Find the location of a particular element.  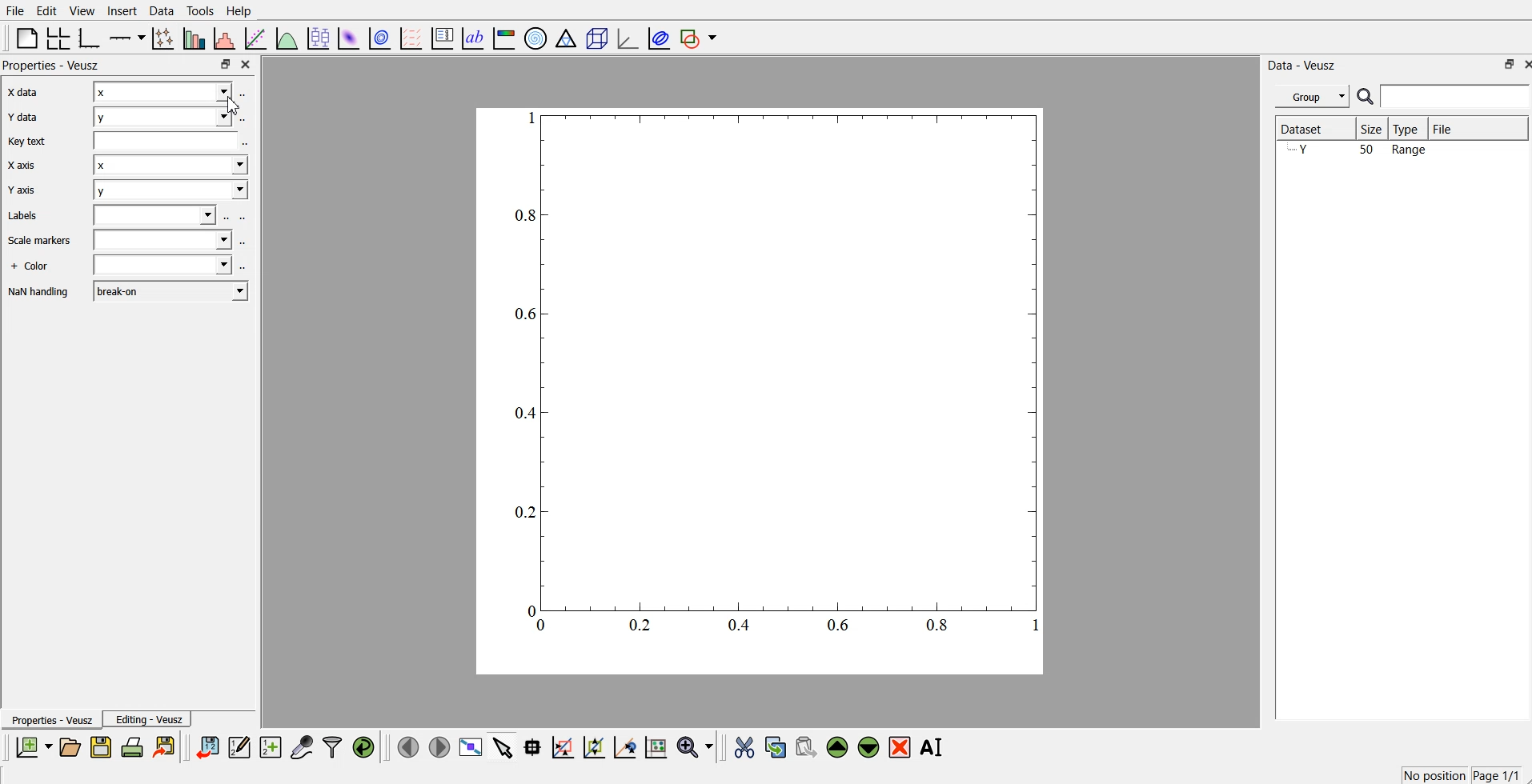

Page 1/1  is located at coordinates (1496, 774).